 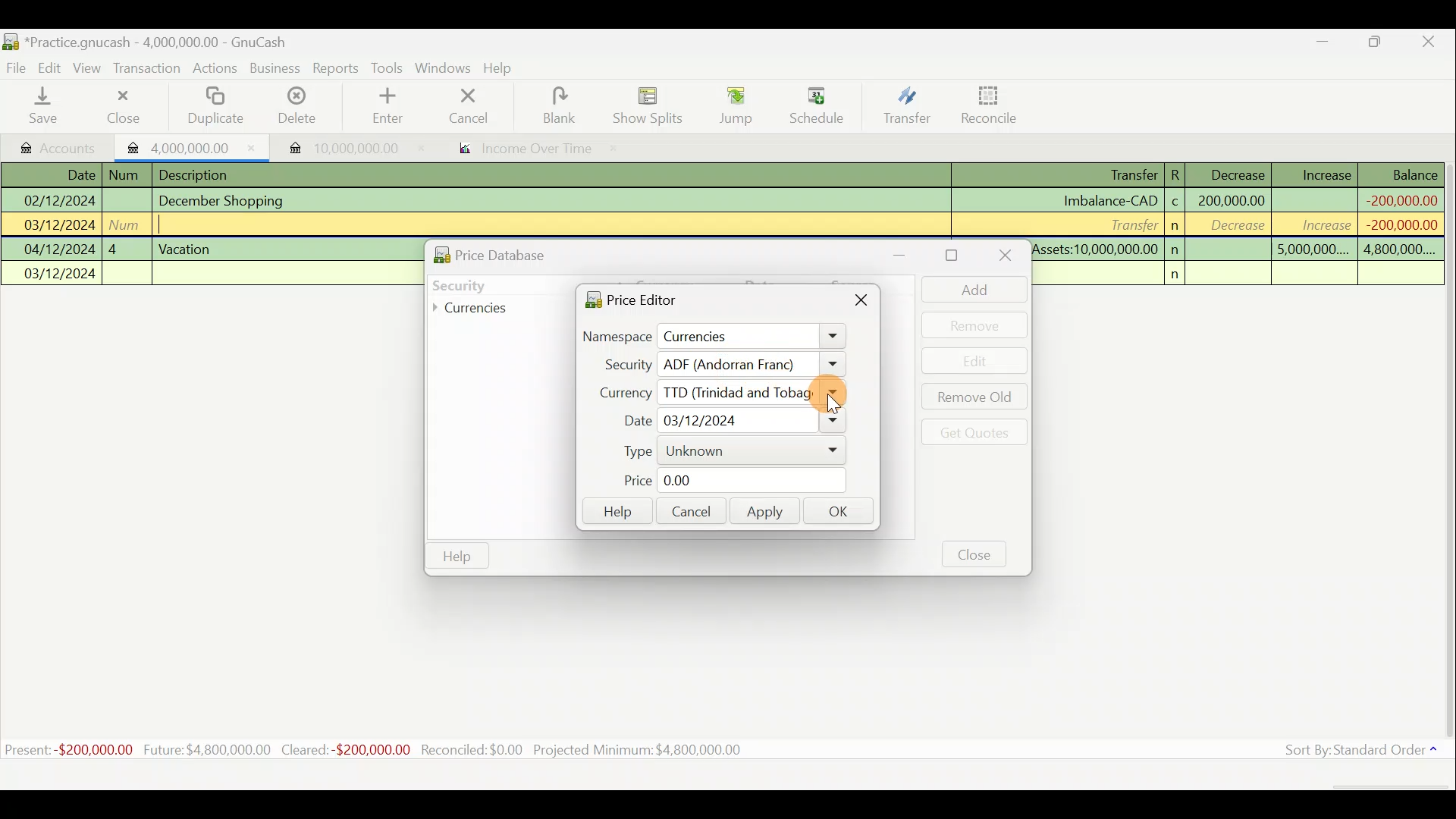 What do you see at coordinates (298, 106) in the screenshot?
I see `Delete` at bounding box center [298, 106].